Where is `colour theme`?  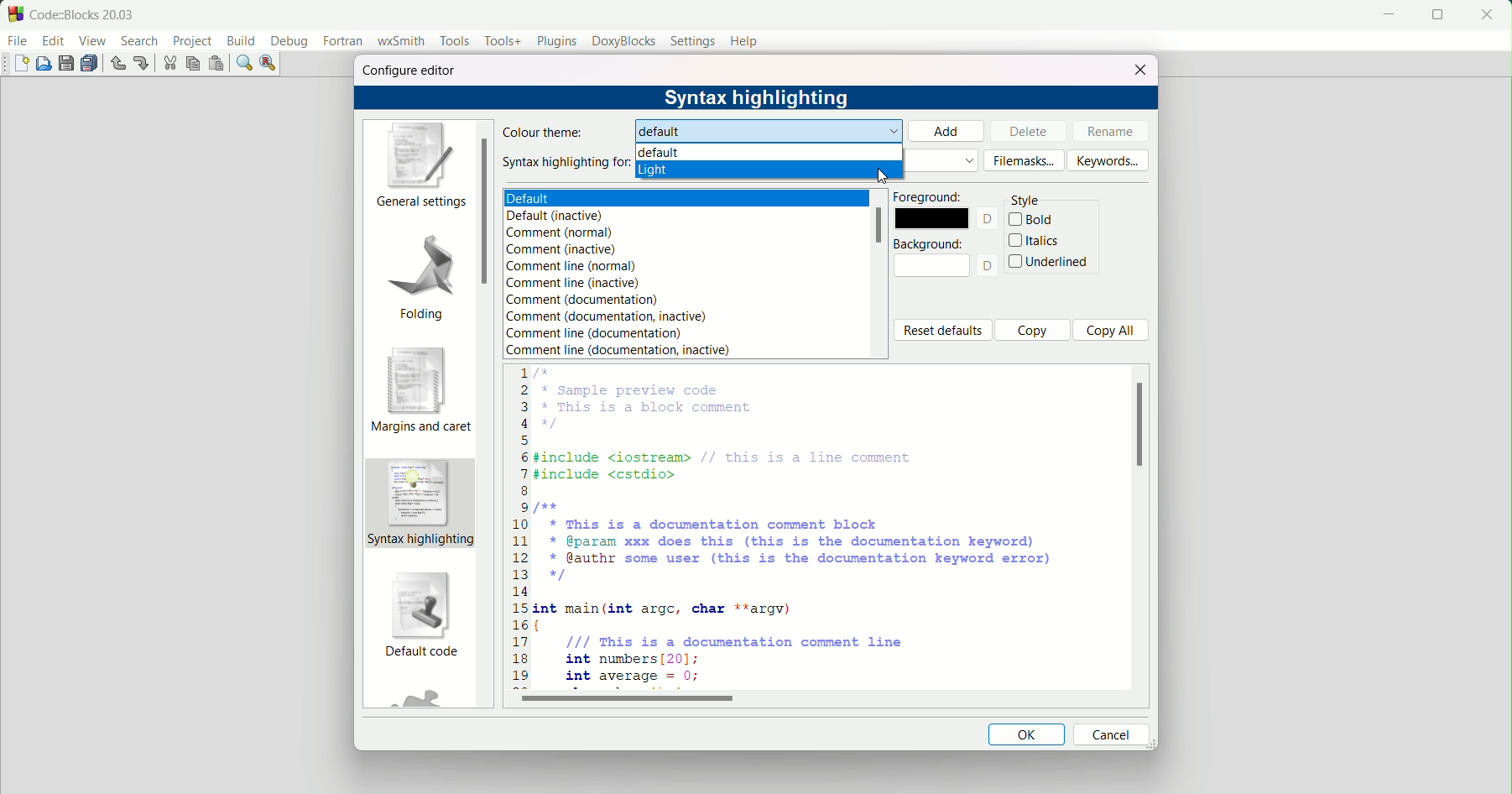
colour theme is located at coordinates (545, 131).